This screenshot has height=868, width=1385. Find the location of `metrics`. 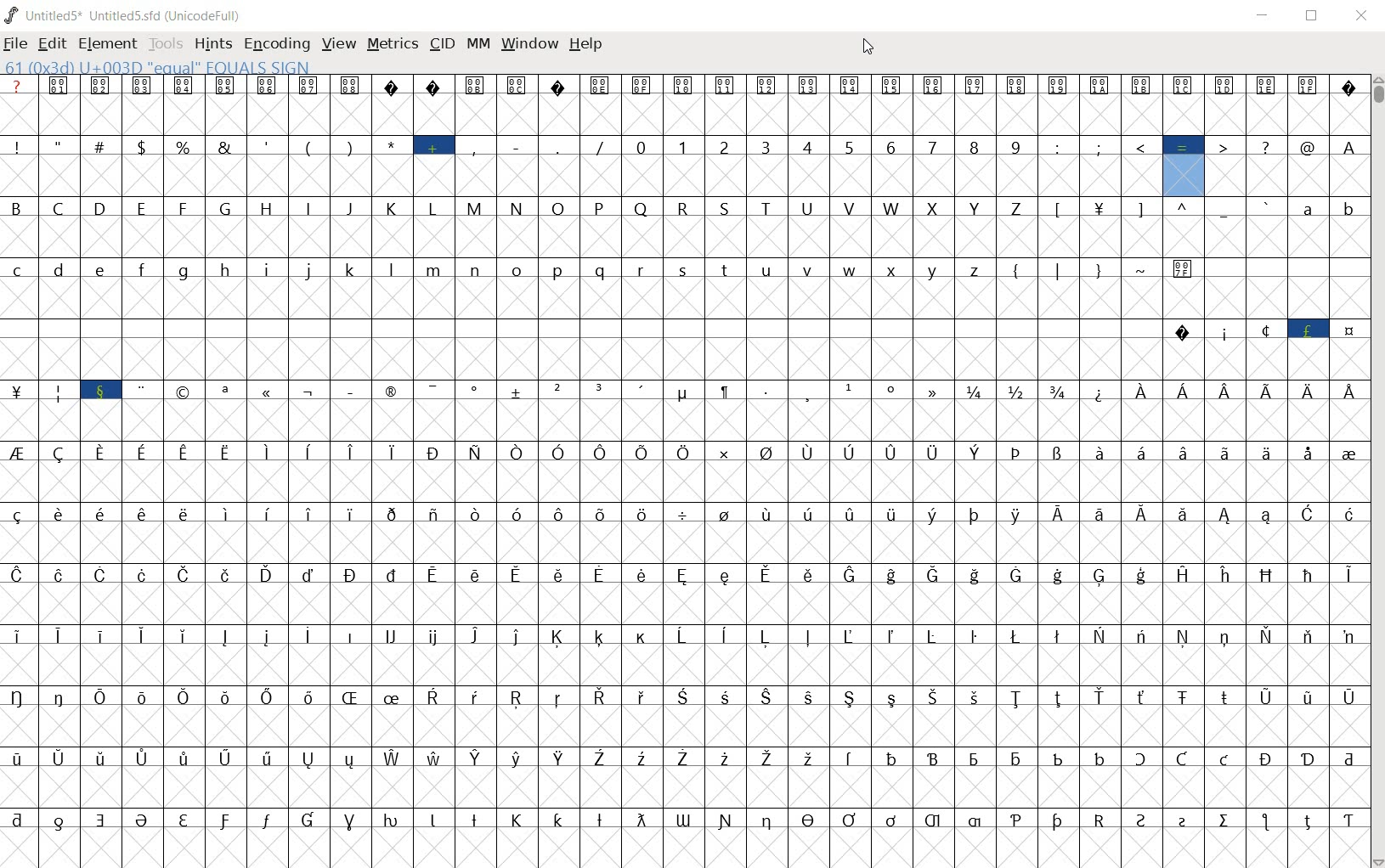

metrics is located at coordinates (392, 43).